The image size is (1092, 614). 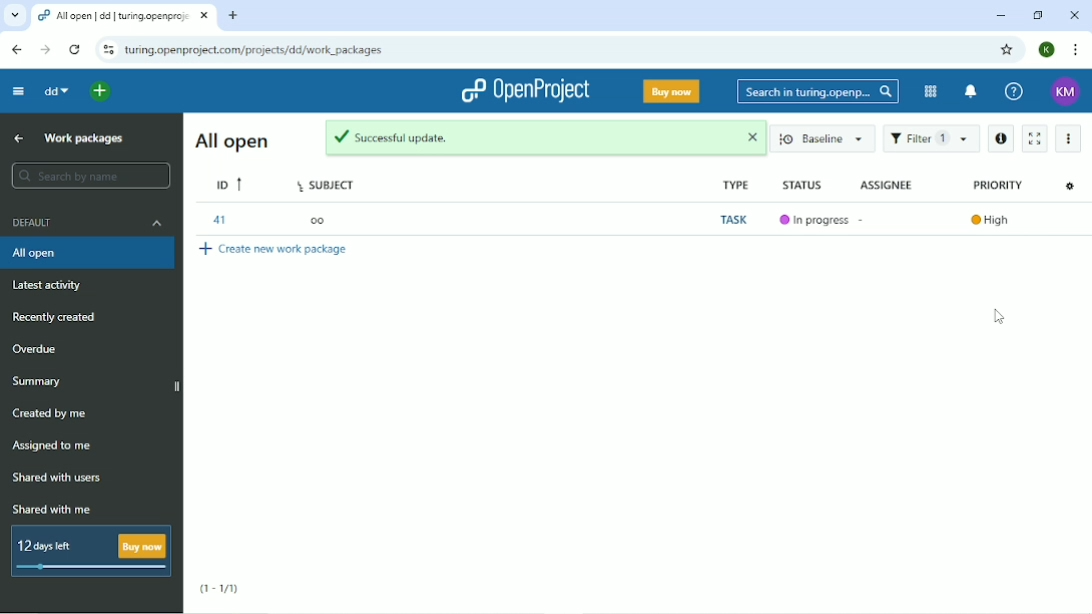 What do you see at coordinates (40, 382) in the screenshot?
I see `Summary` at bounding box center [40, 382].